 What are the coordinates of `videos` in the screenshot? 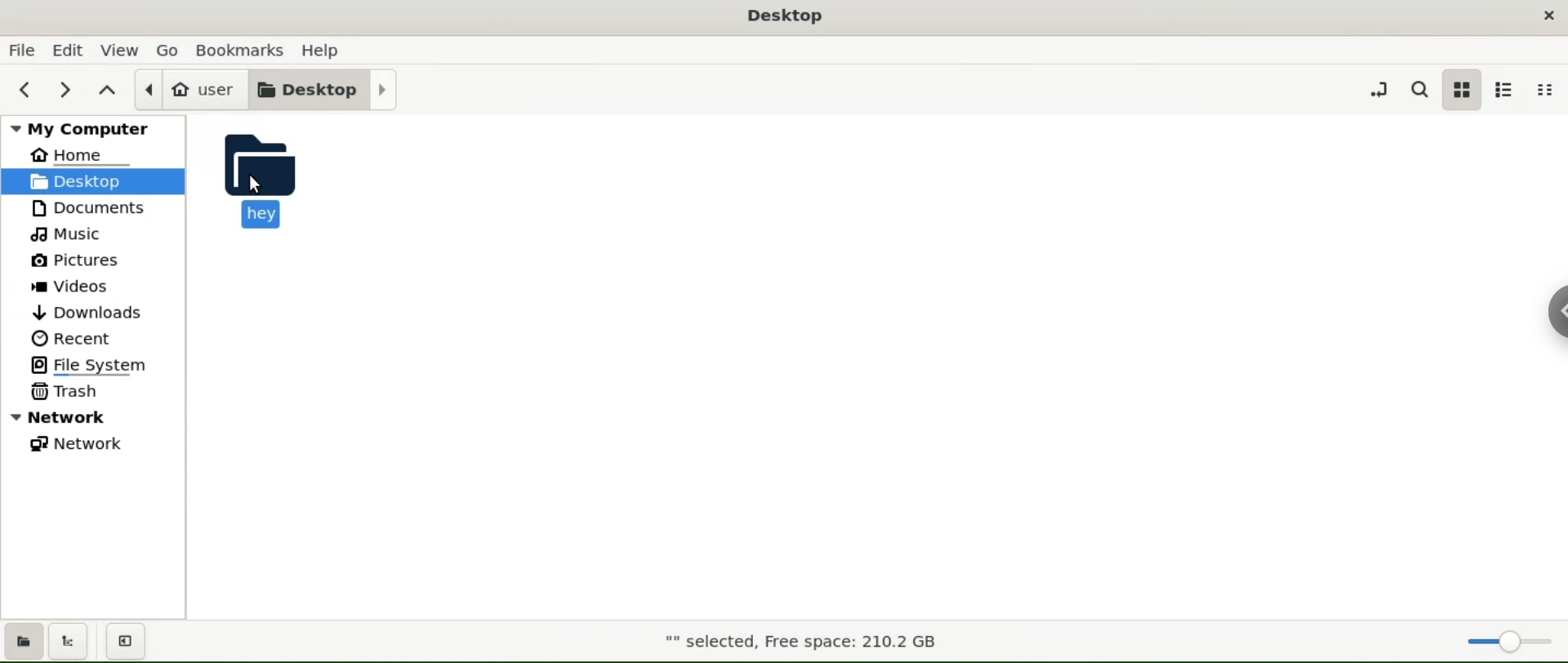 It's located at (91, 285).